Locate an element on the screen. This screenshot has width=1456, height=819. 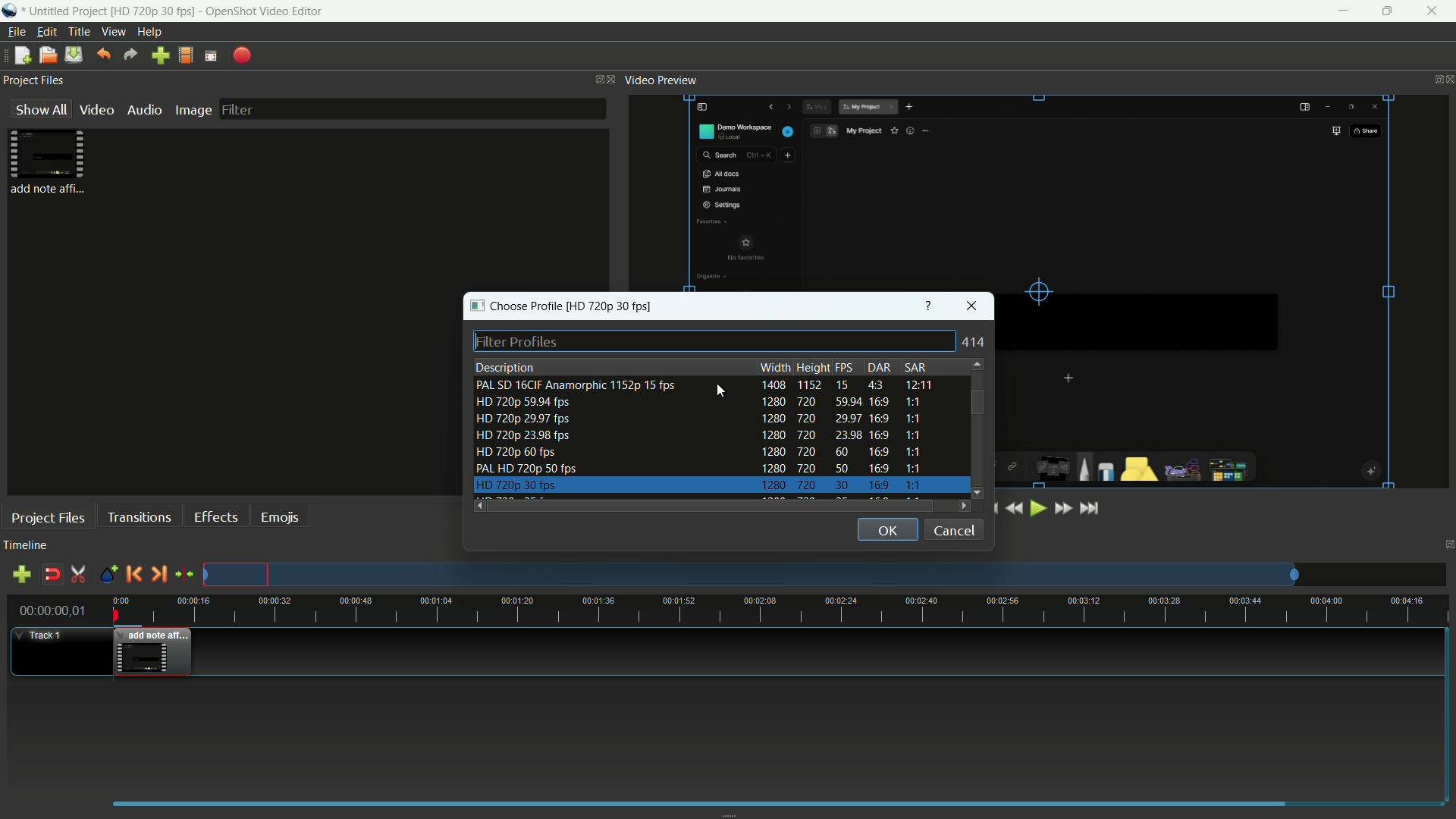
project name is located at coordinates (112, 12).